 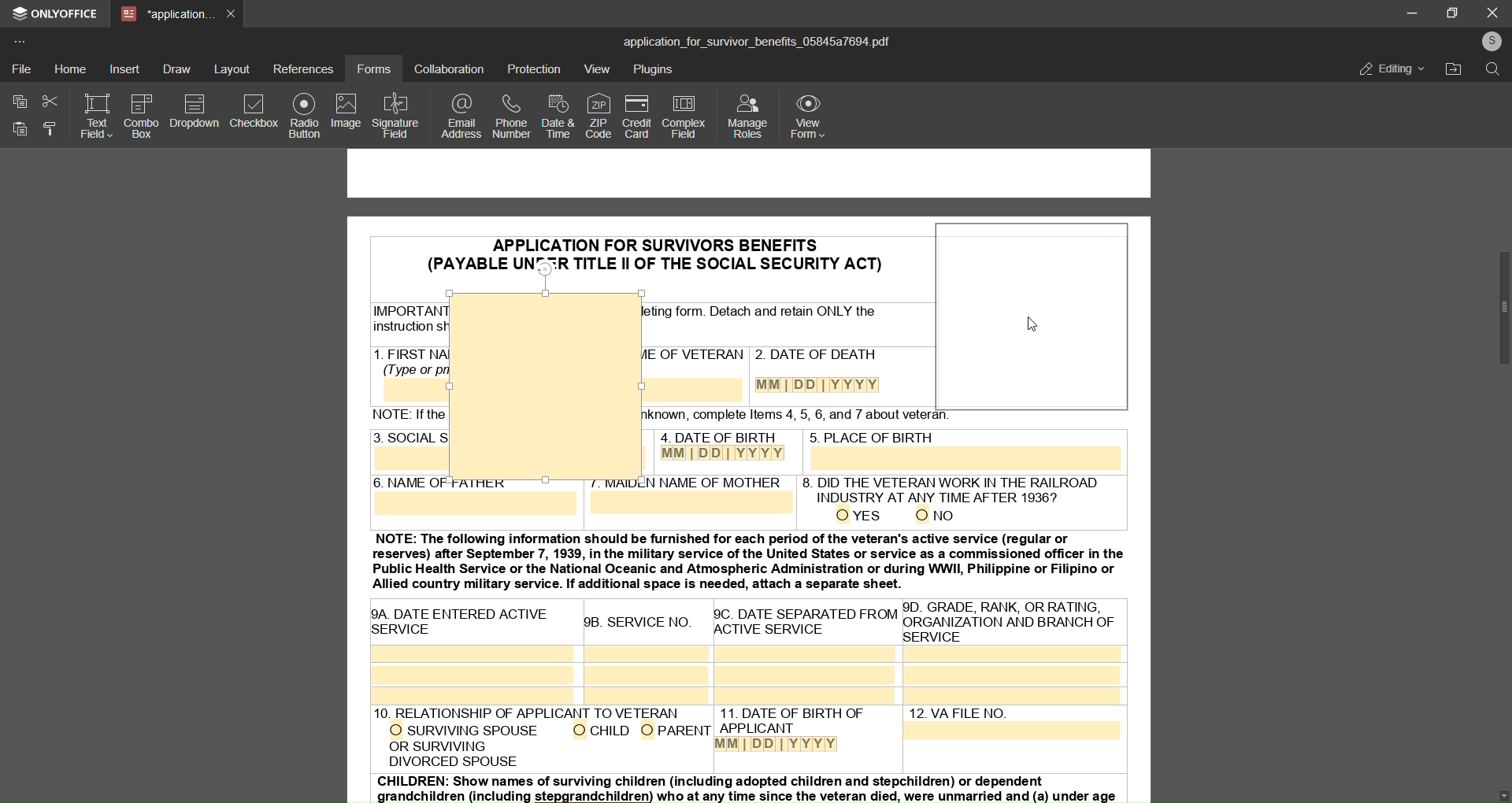 I want to click on move down, so click(x=1494, y=790).